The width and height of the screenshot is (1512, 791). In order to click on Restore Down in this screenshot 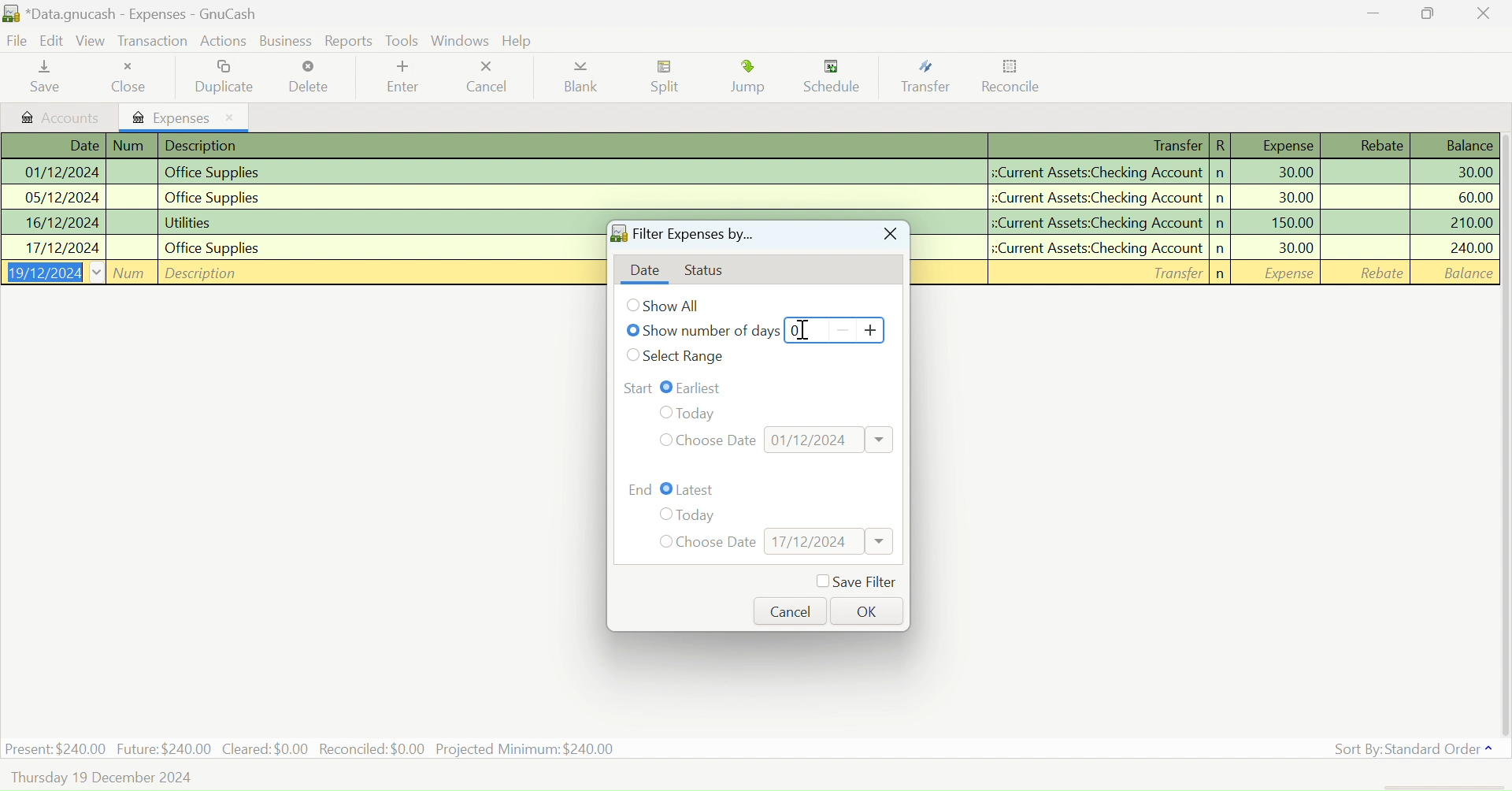, I will do `click(1373, 13)`.